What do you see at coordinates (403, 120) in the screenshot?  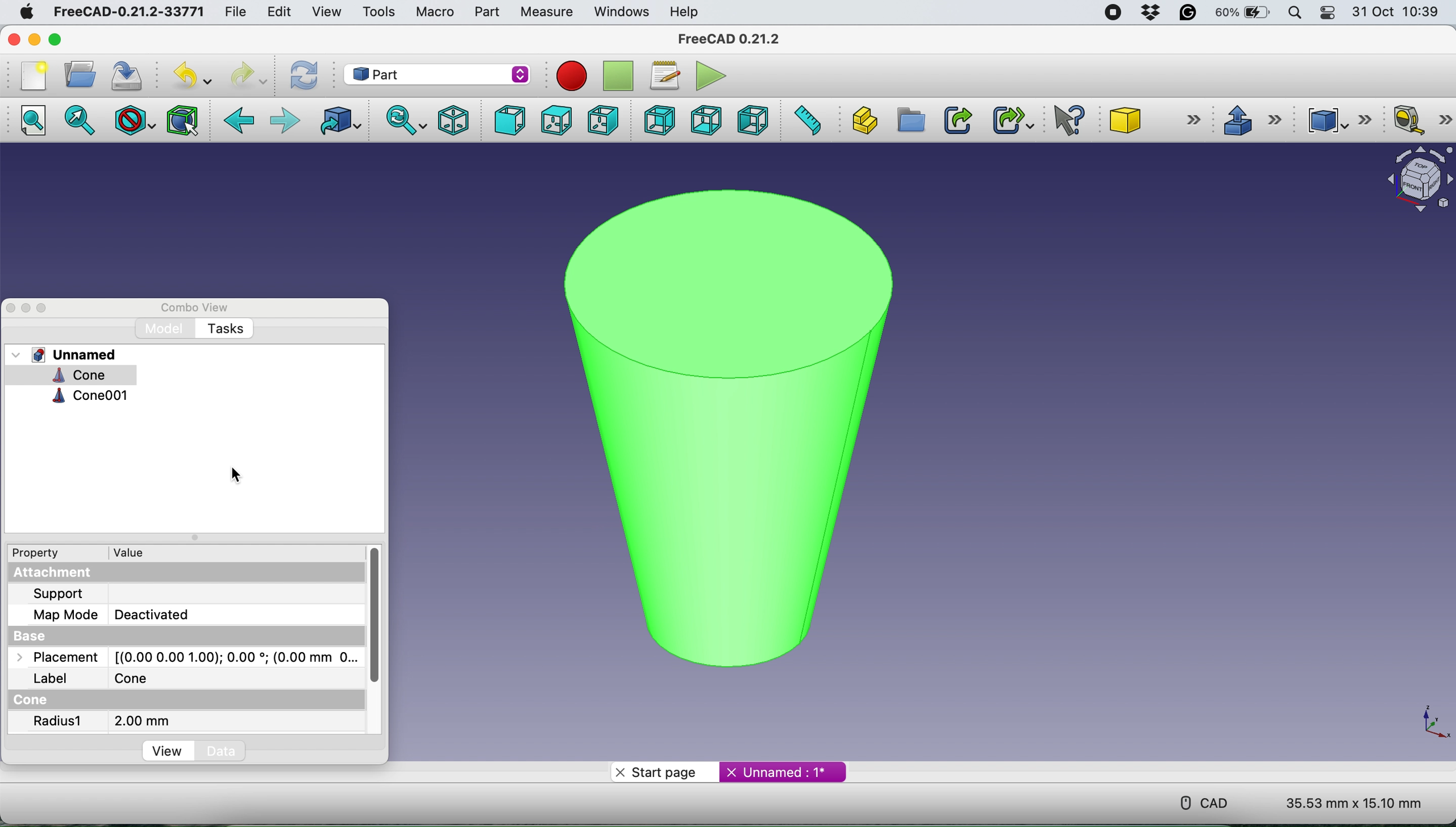 I see `sync view` at bounding box center [403, 120].